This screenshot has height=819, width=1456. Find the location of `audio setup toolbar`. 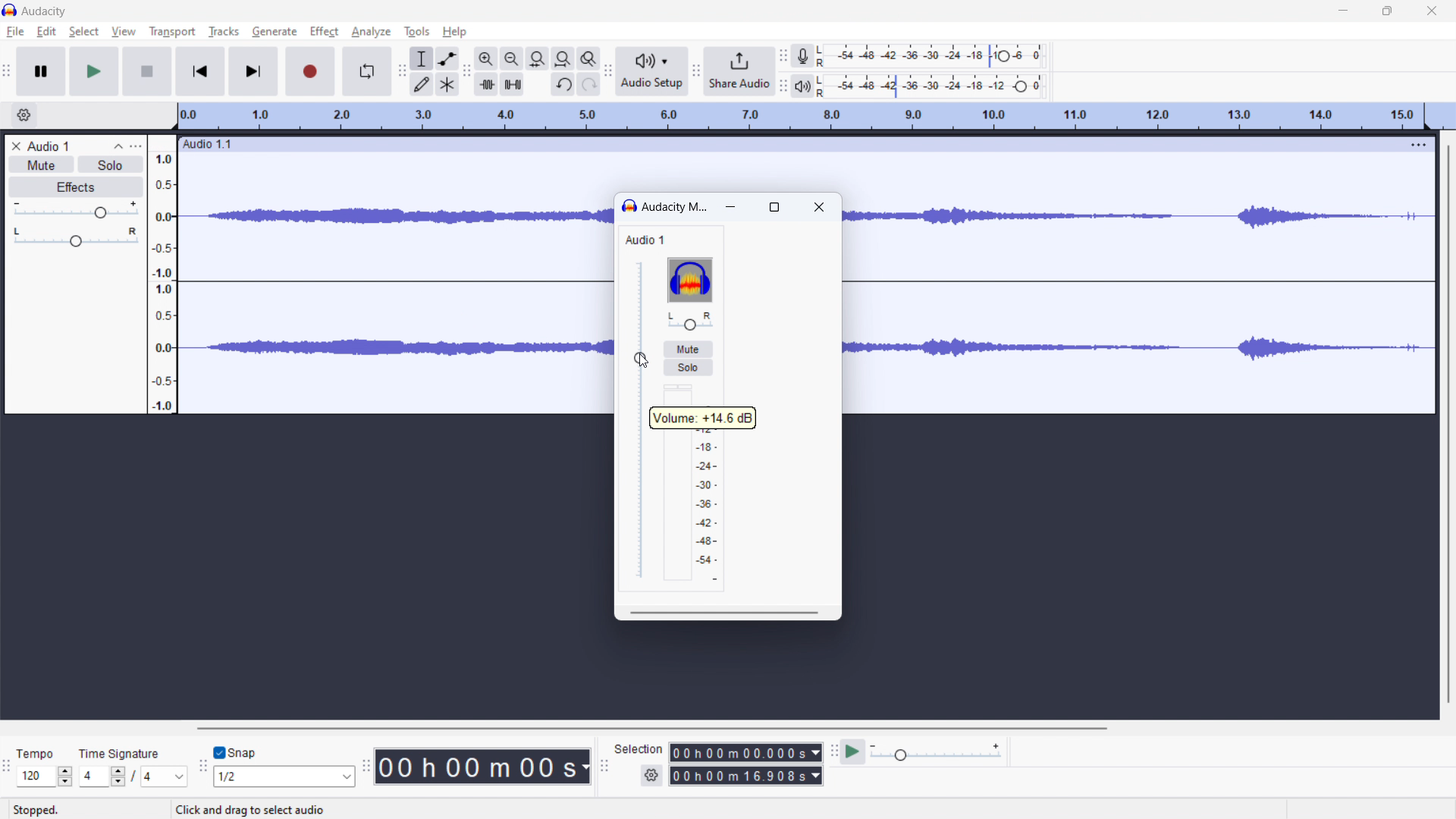

audio setup toolbar is located at coordinates (609, 71).